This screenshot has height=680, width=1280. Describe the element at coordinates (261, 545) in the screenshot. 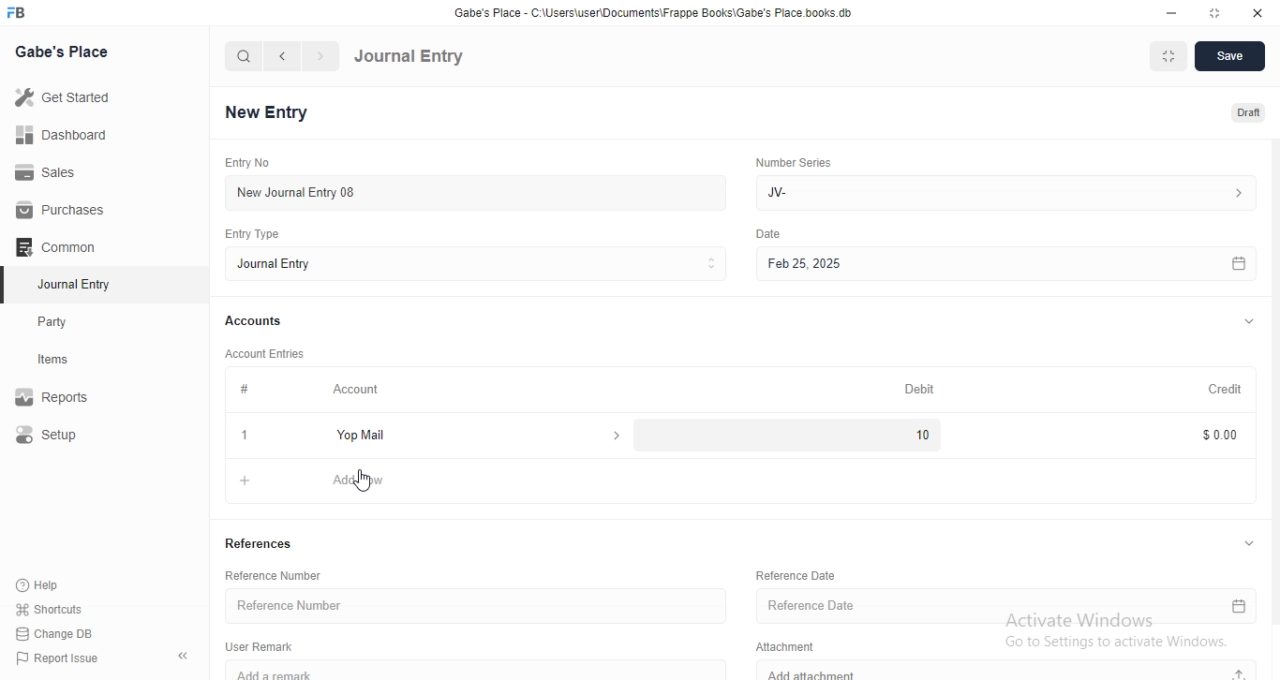

I see `References` at that location.